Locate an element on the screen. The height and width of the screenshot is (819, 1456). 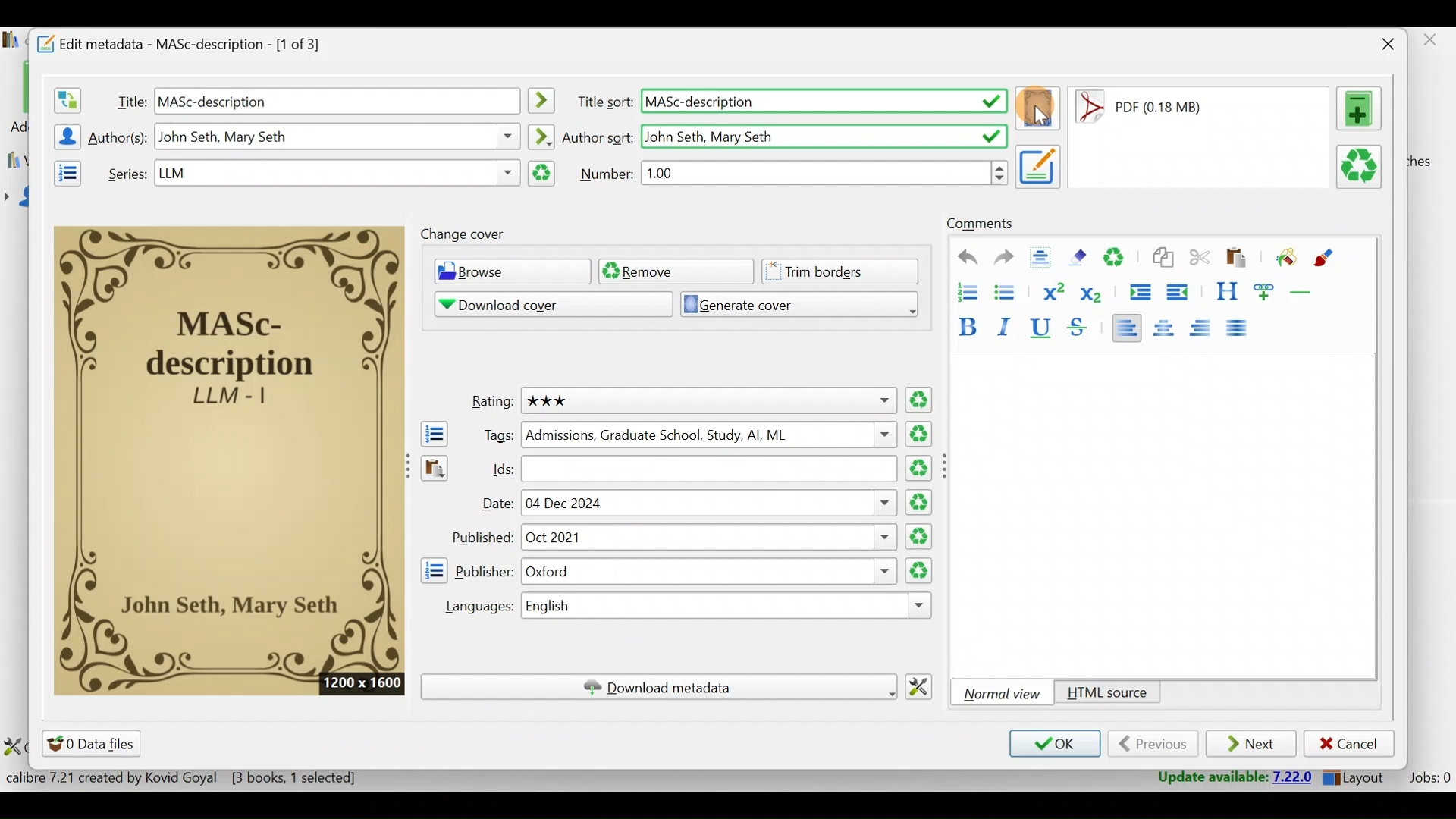
Browse is located at coordinates (508, 273).